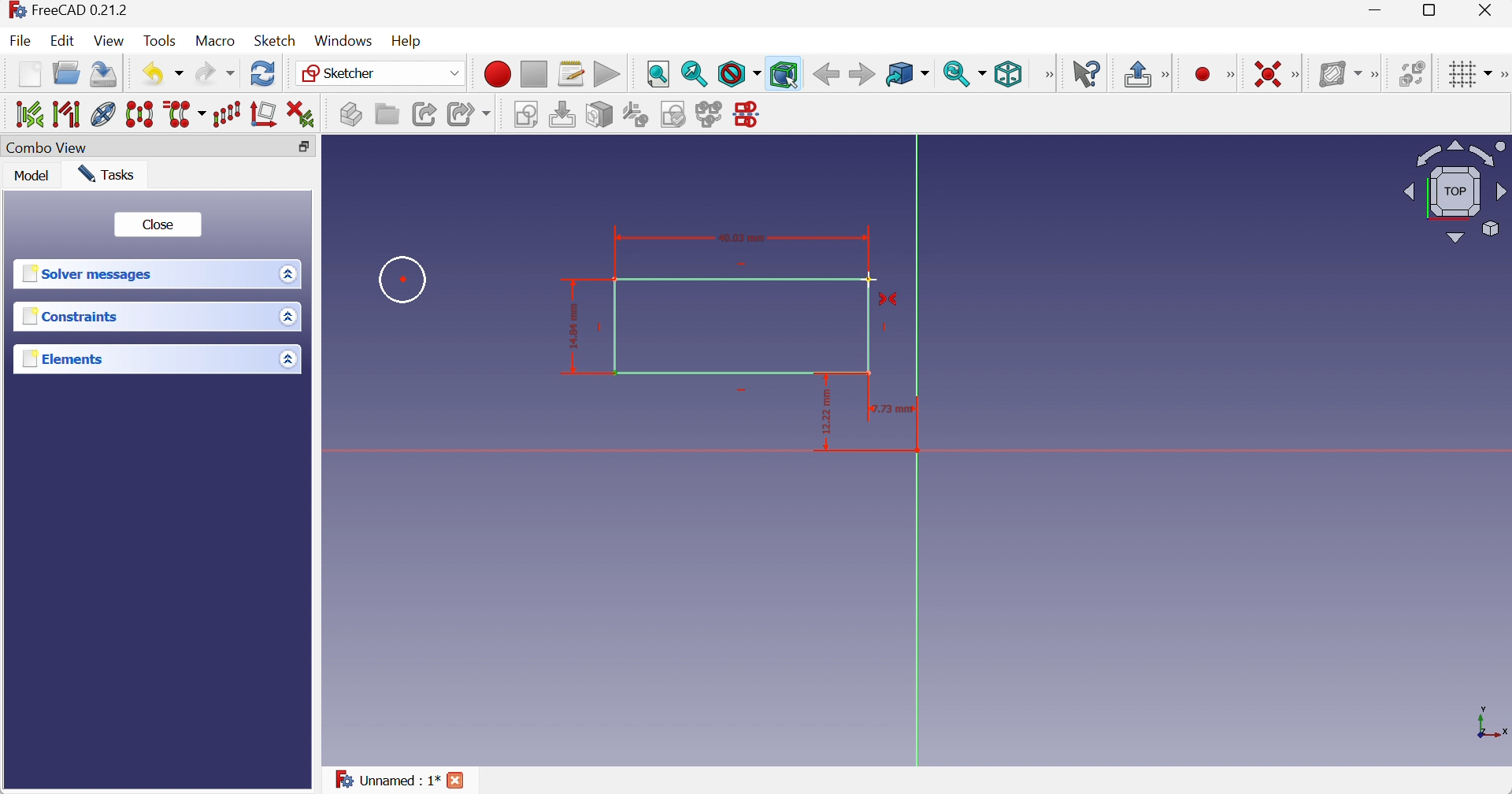  What do you see at coordinates (872, 281) in the screenshot?
I see `Cursor` at bounding box center [872, 281].